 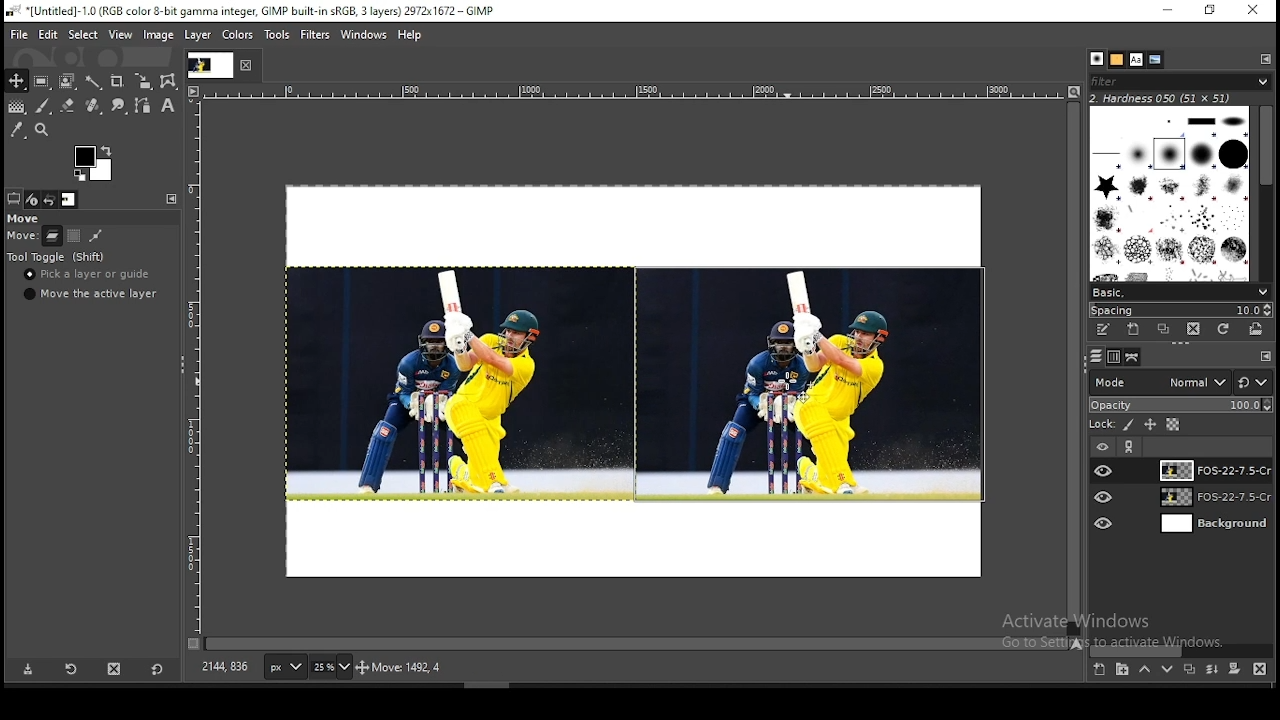 I want to click on move channels, so click(x=73, y=236).